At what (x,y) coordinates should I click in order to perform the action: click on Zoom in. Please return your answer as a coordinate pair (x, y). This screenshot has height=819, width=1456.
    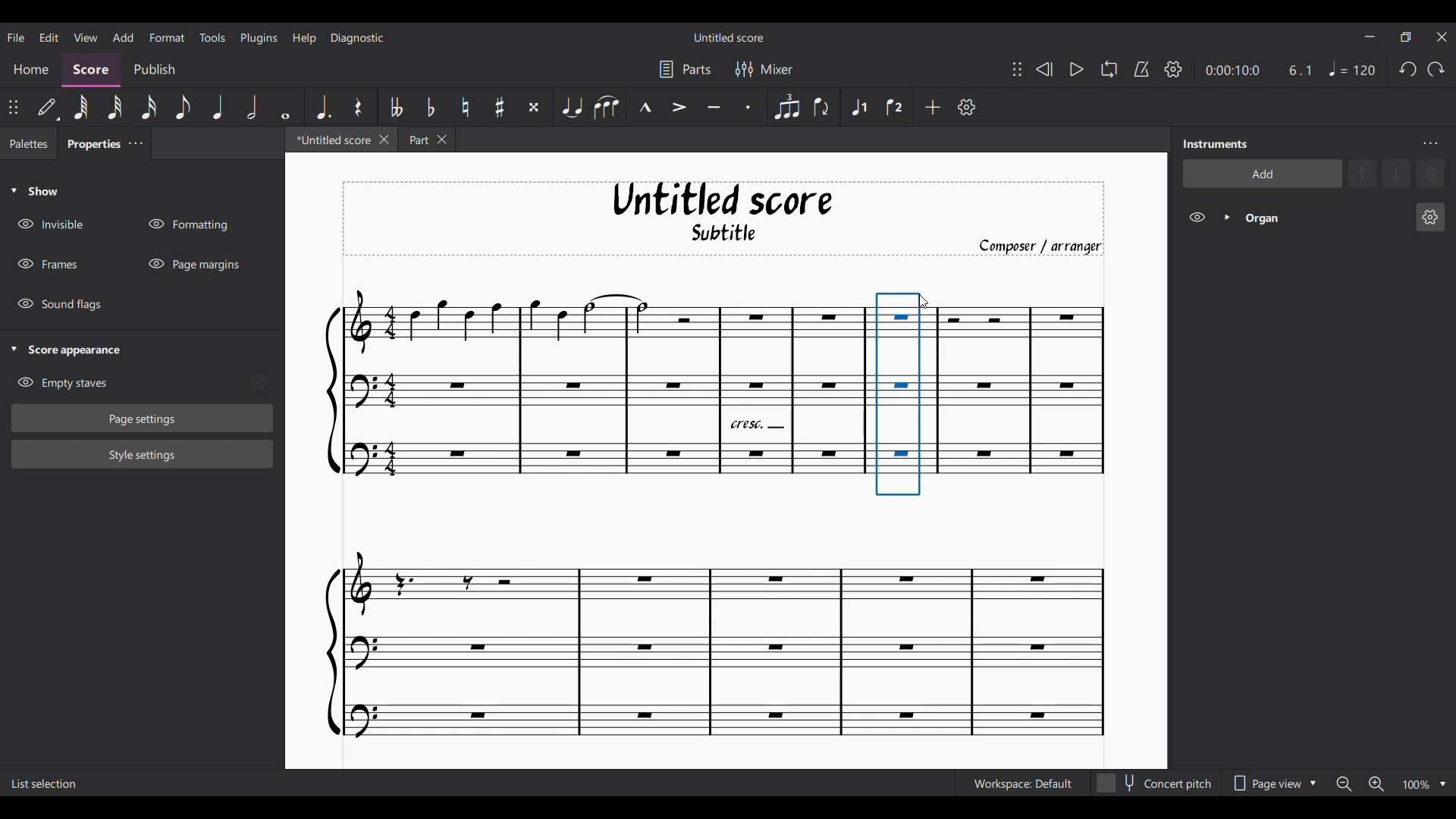
    Looking at the image, I should click on (1376, 784).